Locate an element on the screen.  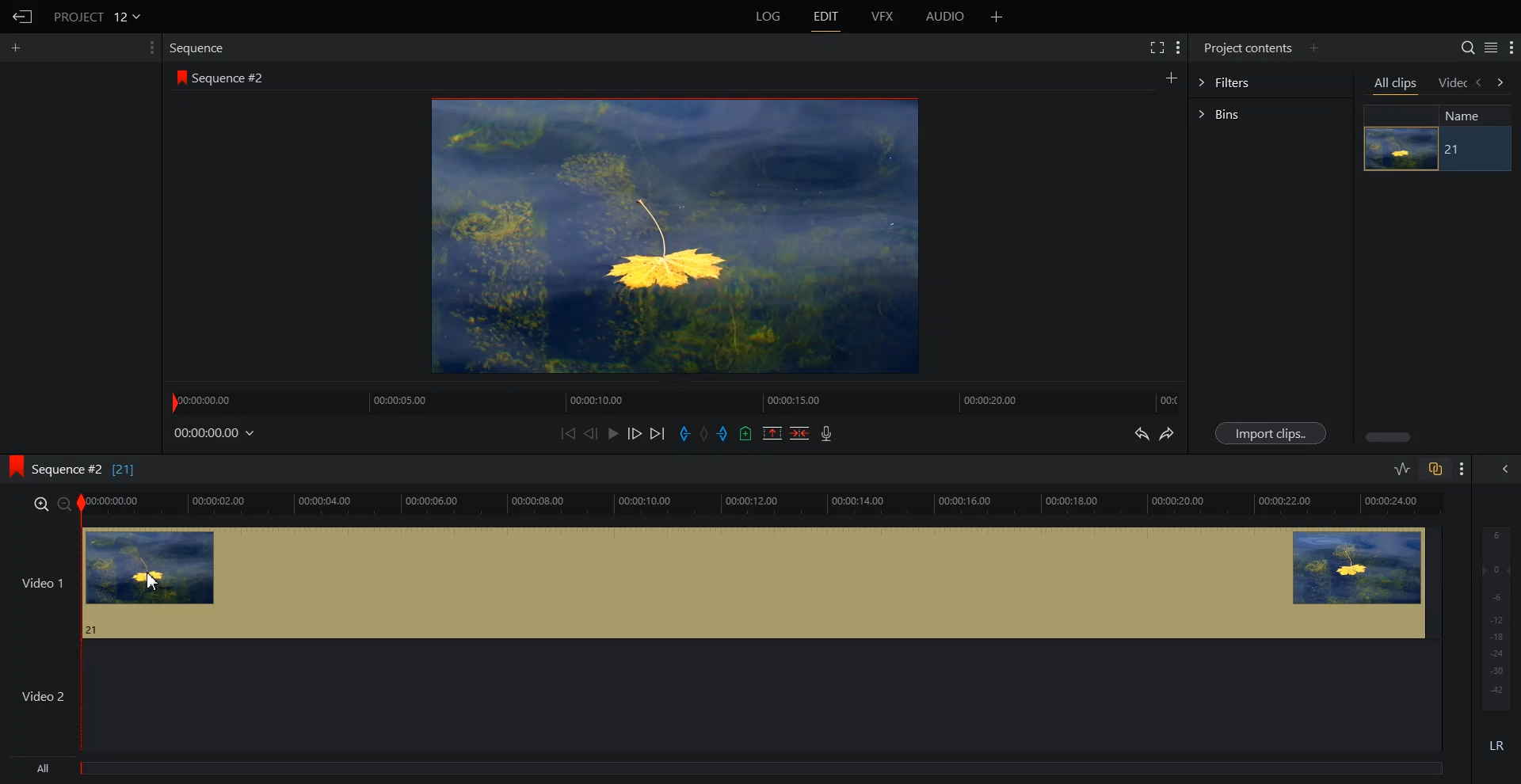
Project Contents is located at coordinates (1248, 47).